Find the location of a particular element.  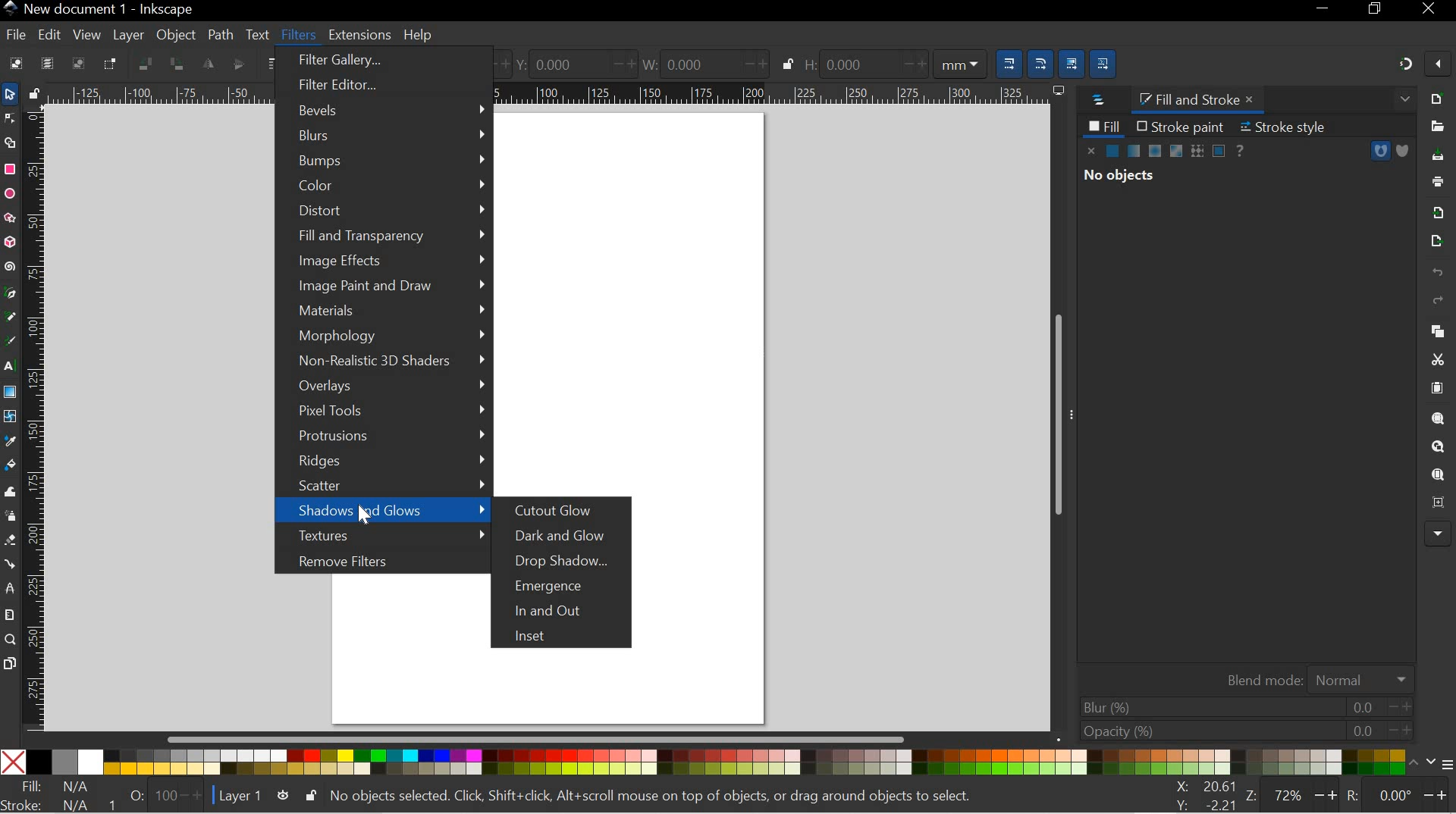

LAYERS AND OBJECTS is located at coordinates (1096, 101).